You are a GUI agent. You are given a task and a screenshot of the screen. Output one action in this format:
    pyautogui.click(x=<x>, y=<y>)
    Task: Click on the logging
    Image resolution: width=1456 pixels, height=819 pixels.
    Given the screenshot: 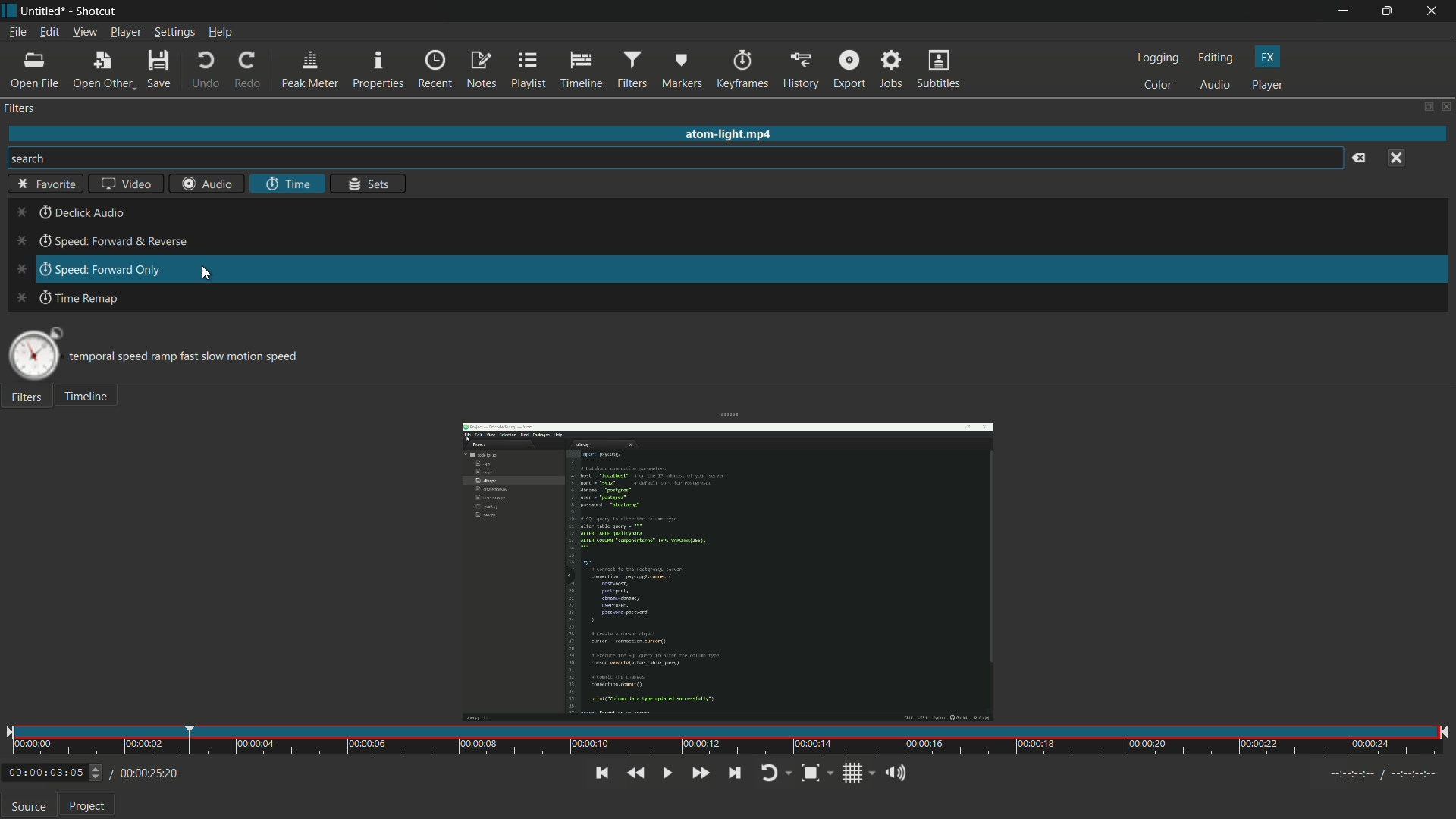 What is the action you would take?
    pyautogui.click(x=1156, y=59)
    